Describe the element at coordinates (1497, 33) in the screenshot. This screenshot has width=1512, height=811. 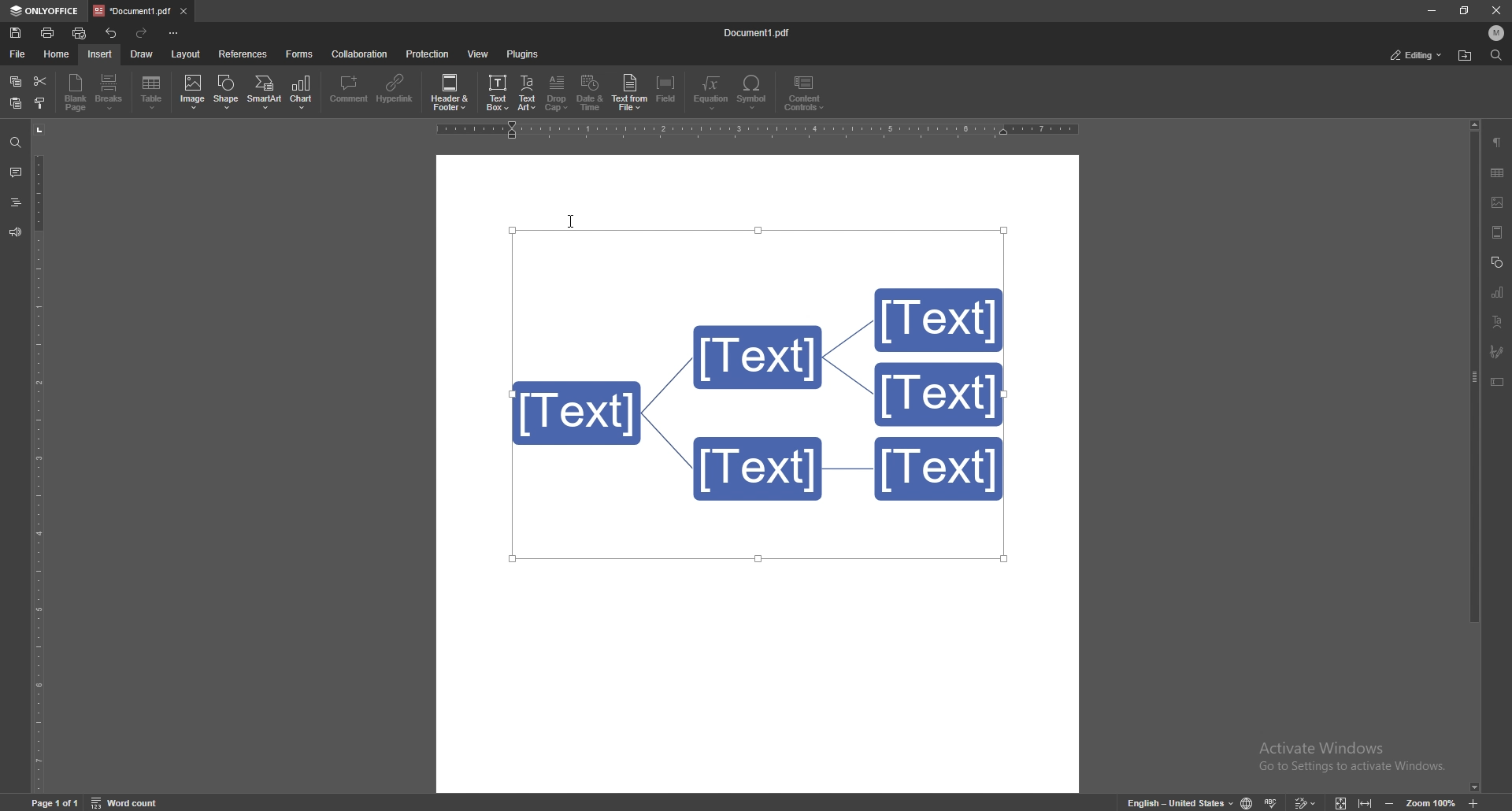
I see `profile` at that location.